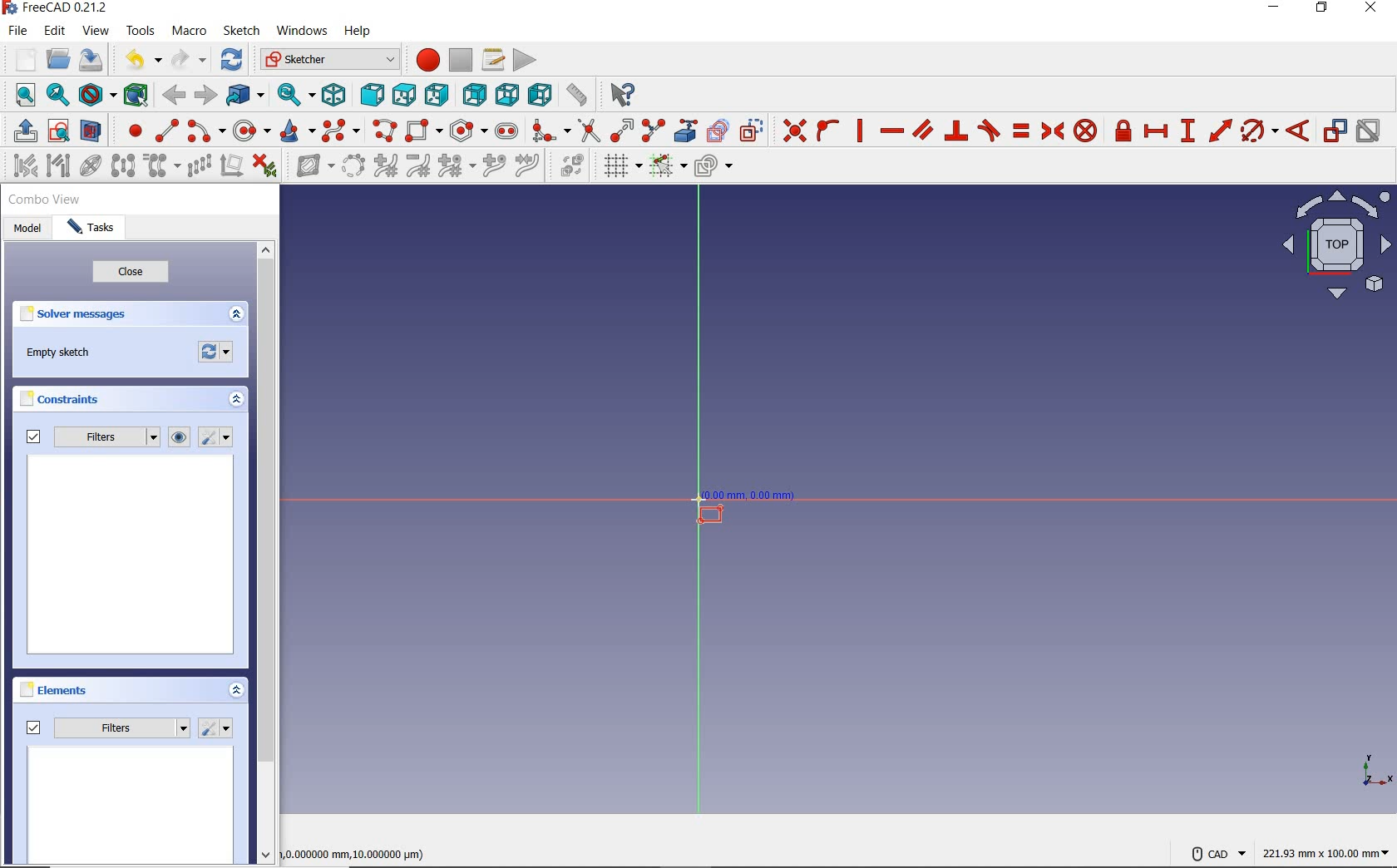 The width and height of the screenshot is (1397, 868). I want to click on constrain distance, so click(1219, 131).